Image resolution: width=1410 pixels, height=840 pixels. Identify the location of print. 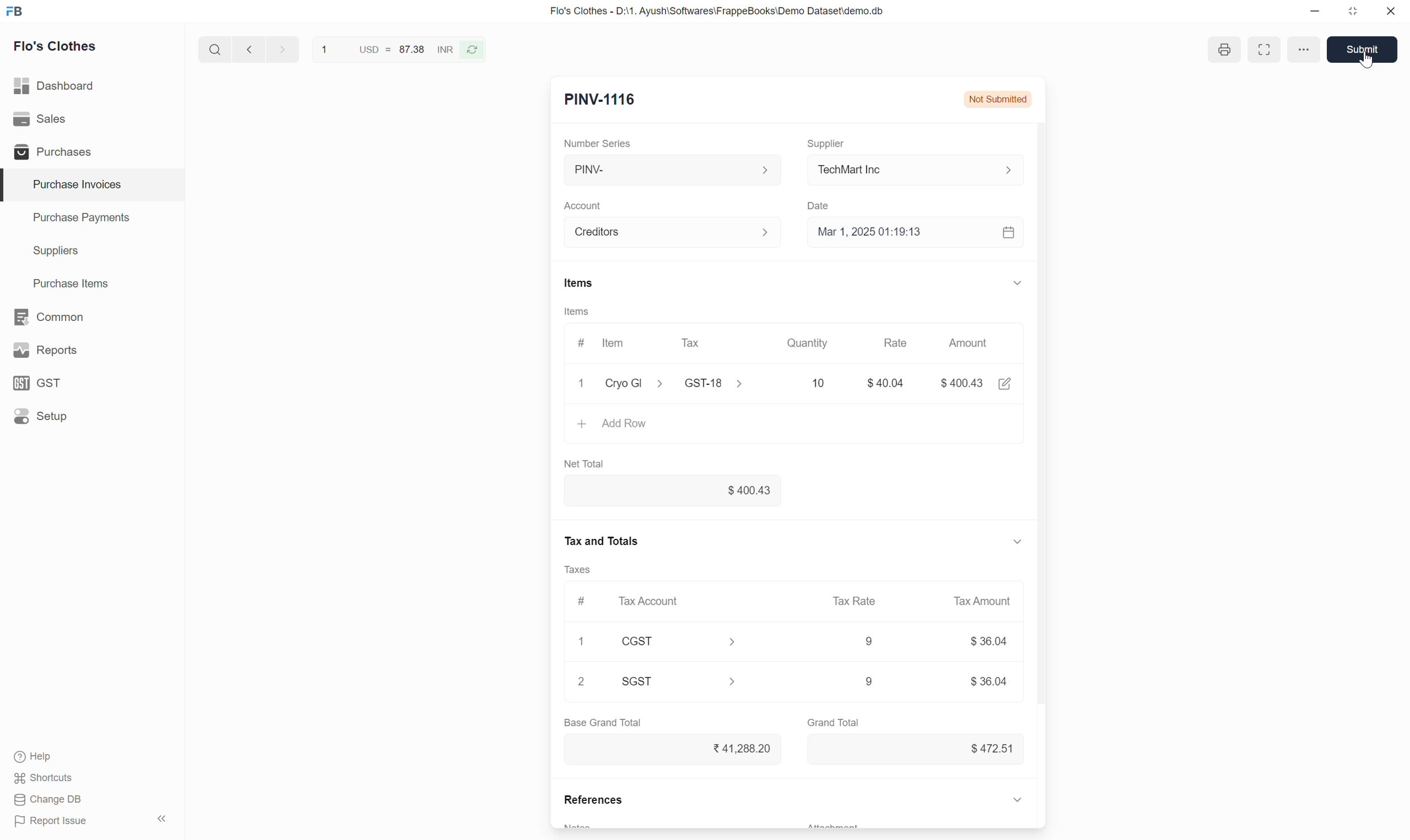
(1223, 51).